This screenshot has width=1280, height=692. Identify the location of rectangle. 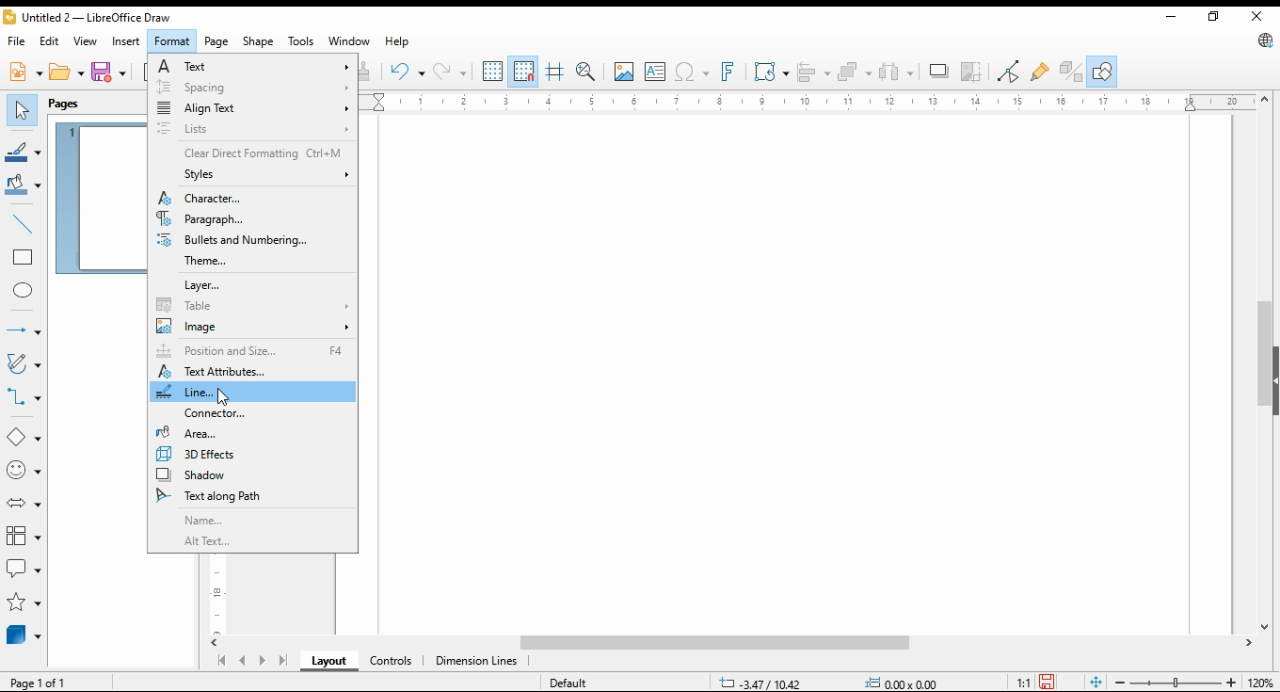
(22, 256).